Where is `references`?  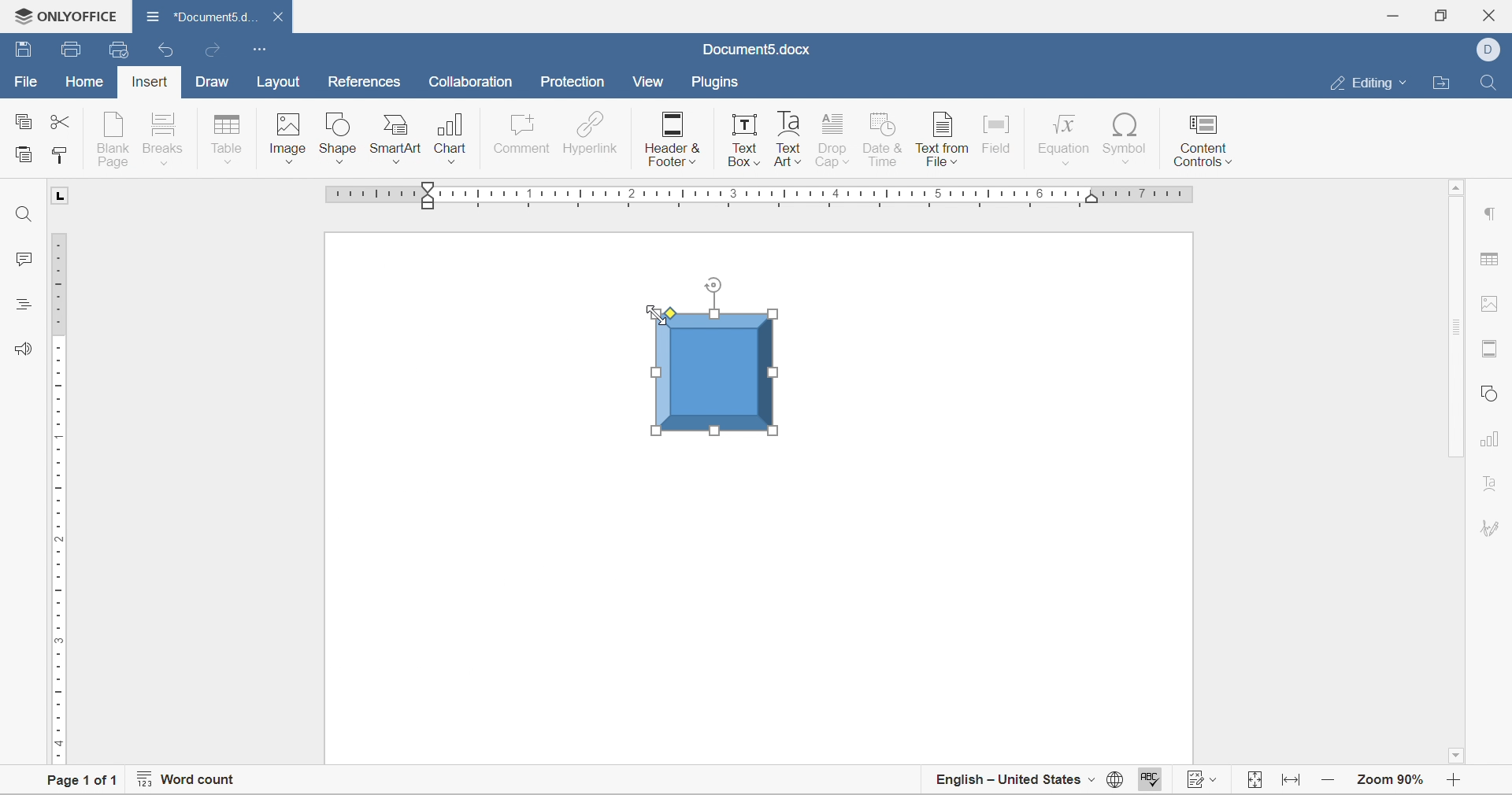 references is located at coordinates (365, 82).